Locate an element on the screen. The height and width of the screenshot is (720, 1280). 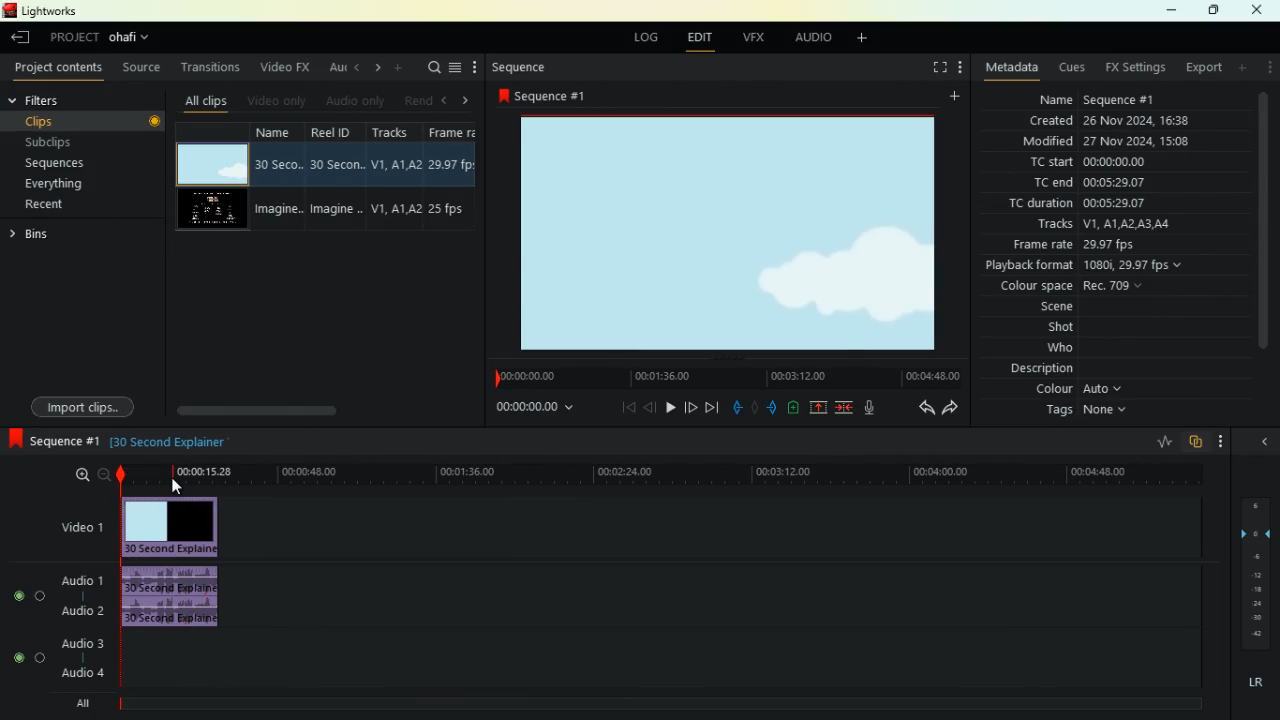
sequence is located at coordinates (522, 68).